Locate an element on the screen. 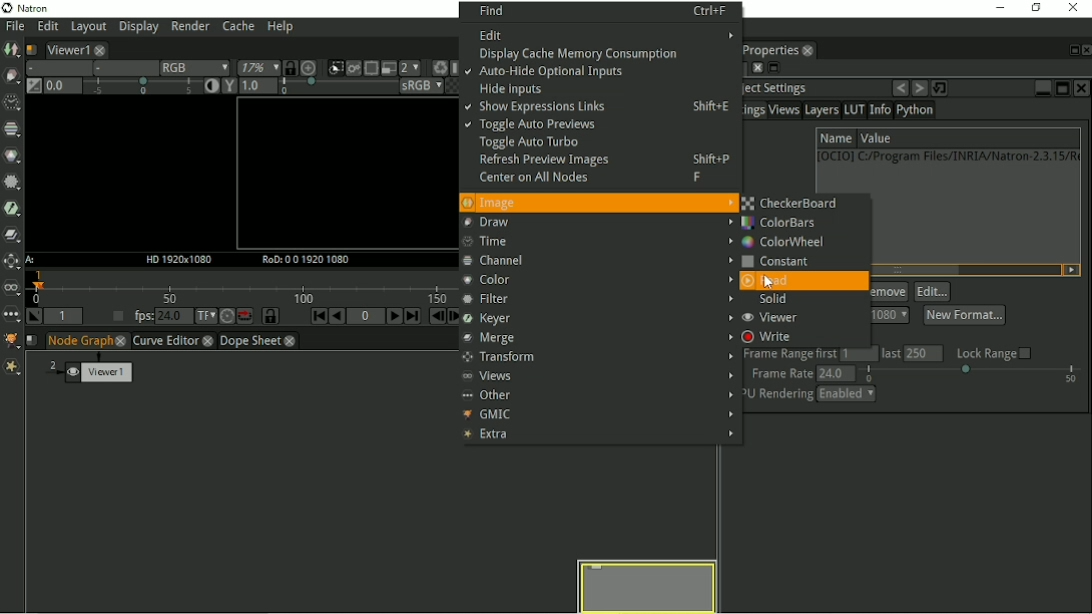 The width and height of the screenshot is (1092, 614). Edit is located at coordinates (933, 292).